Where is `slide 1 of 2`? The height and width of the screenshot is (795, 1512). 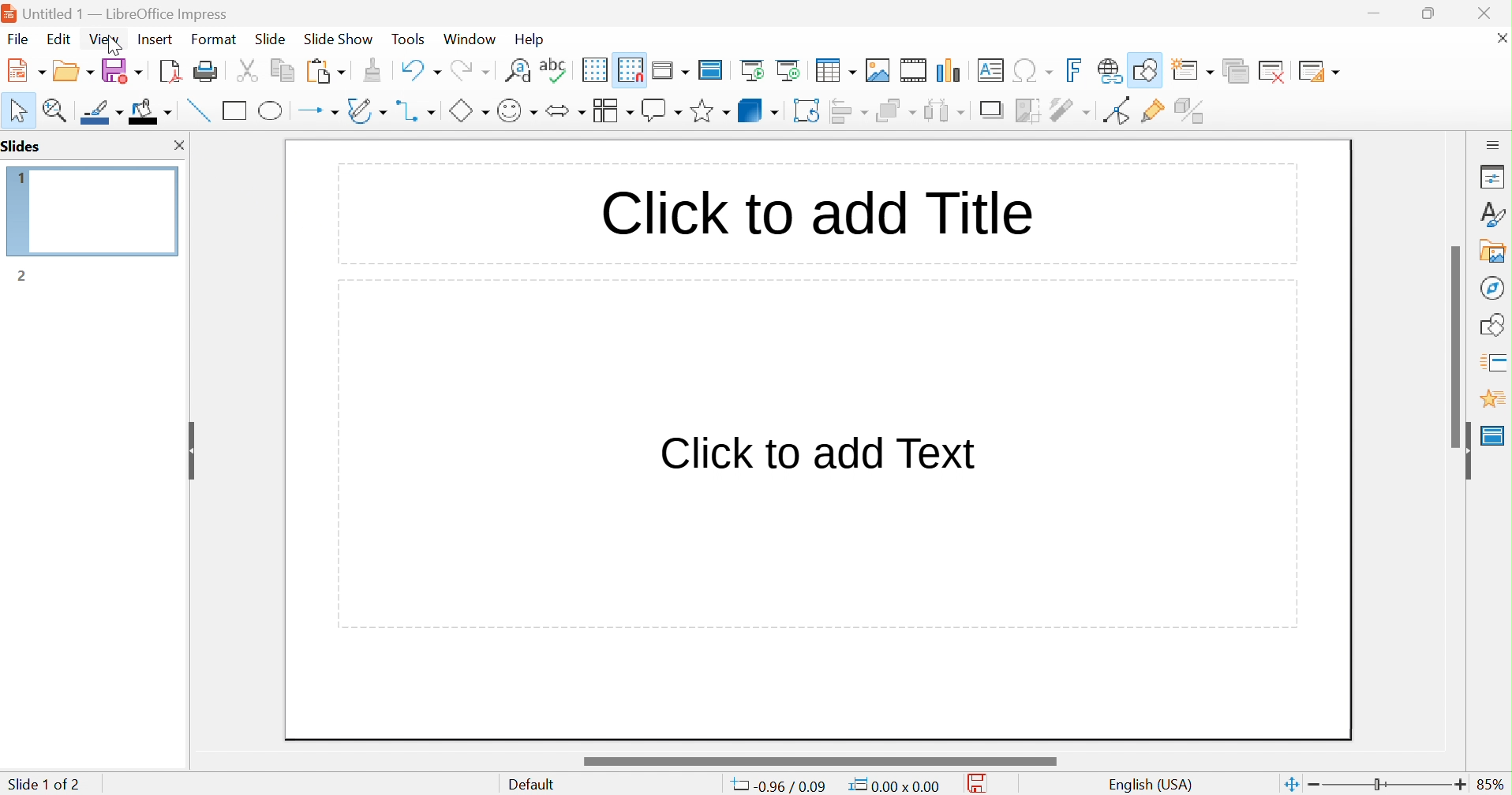 slide 1 of 2 is located at coordinates (43, 784).